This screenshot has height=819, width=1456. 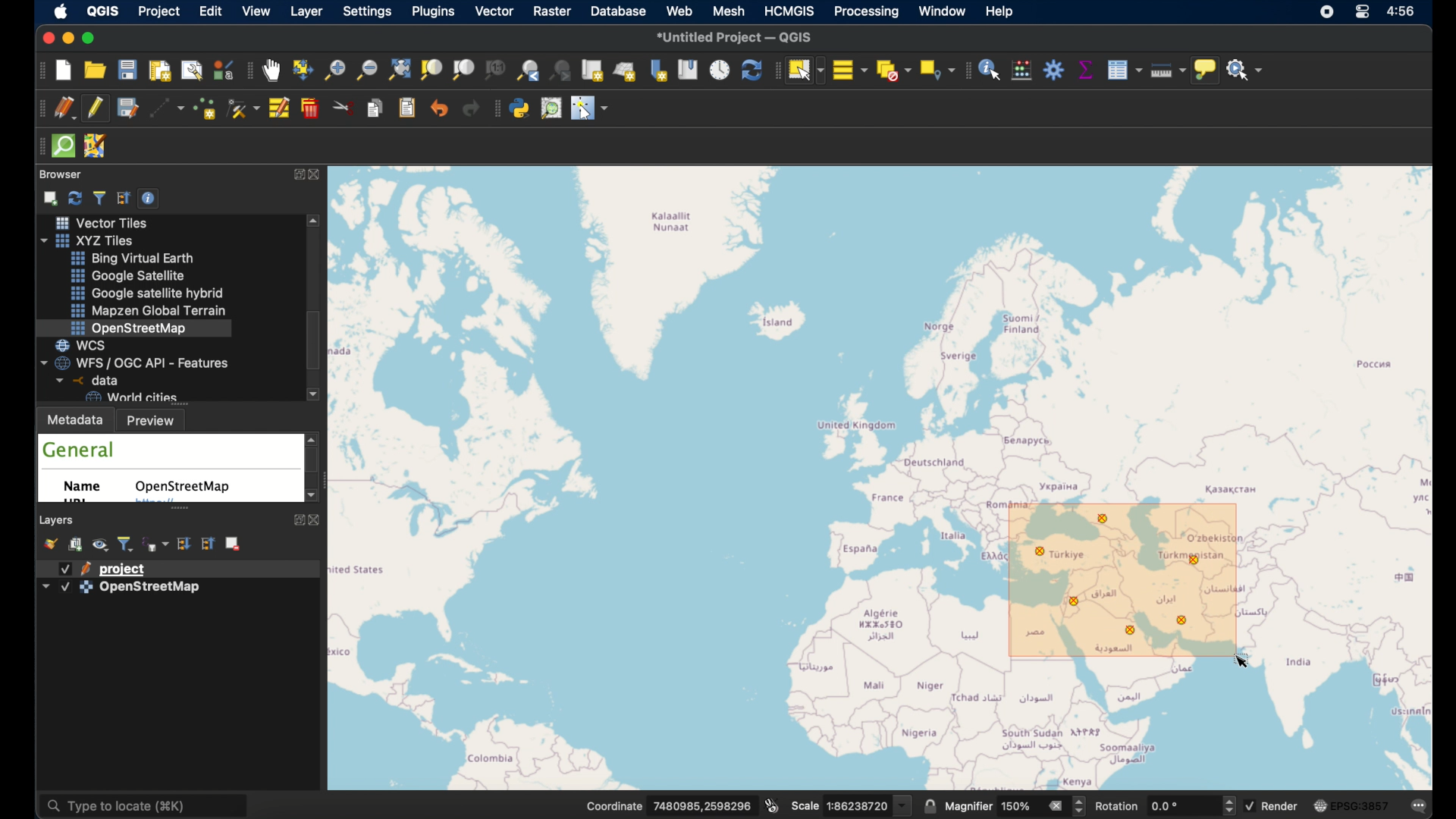 What do you see at coordinates (1364, 14) in the screenshot?
I see `control center` at bounding box center [1364, 14].